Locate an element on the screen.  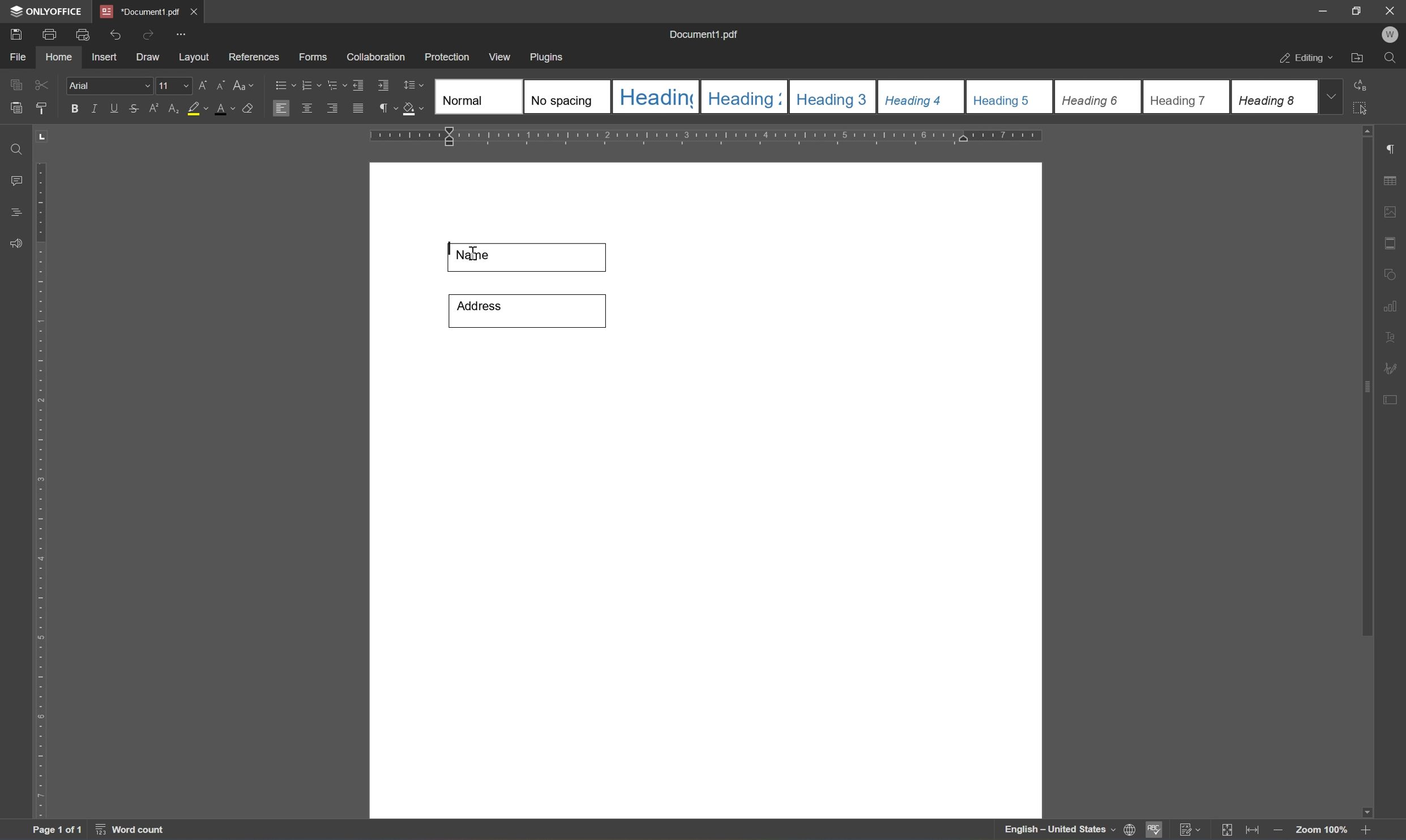
quick print is located at coordinates (80, 33).